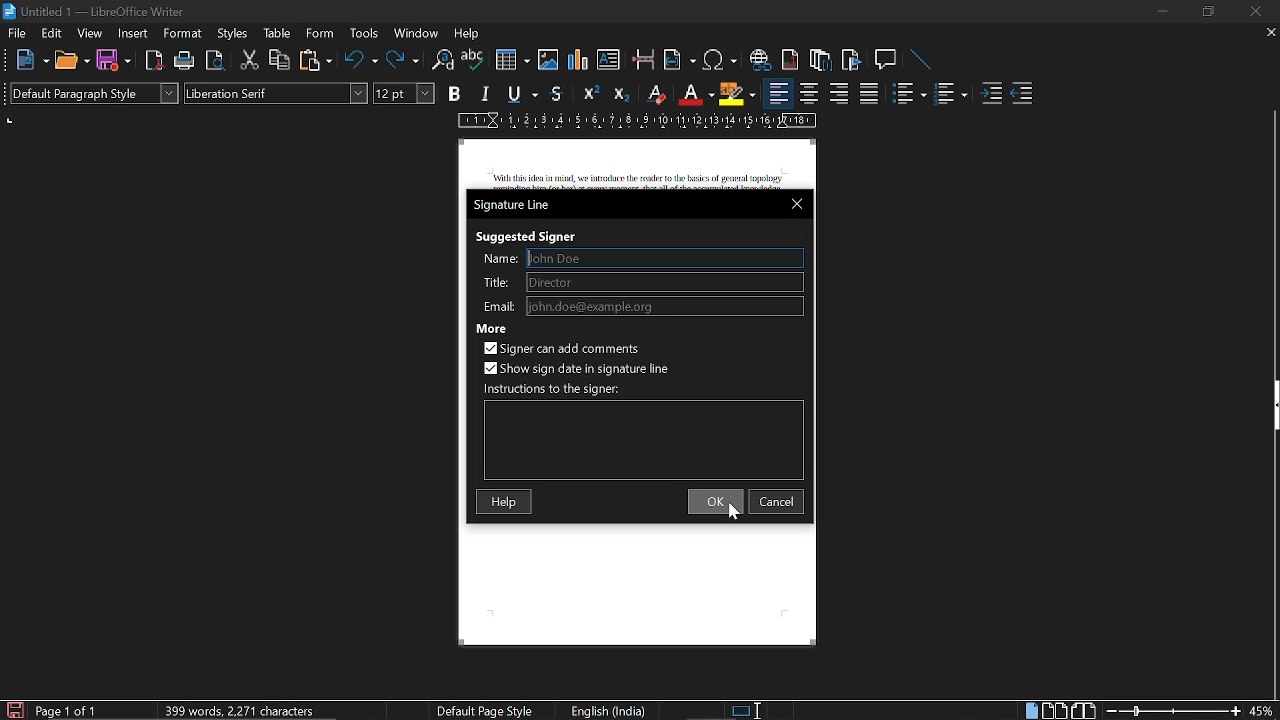  What do you see at coordinates (237, 708) in the screenshot?
I see `word and character count: 399 words, 2.271 characters.` at bounding box center [237, 708].